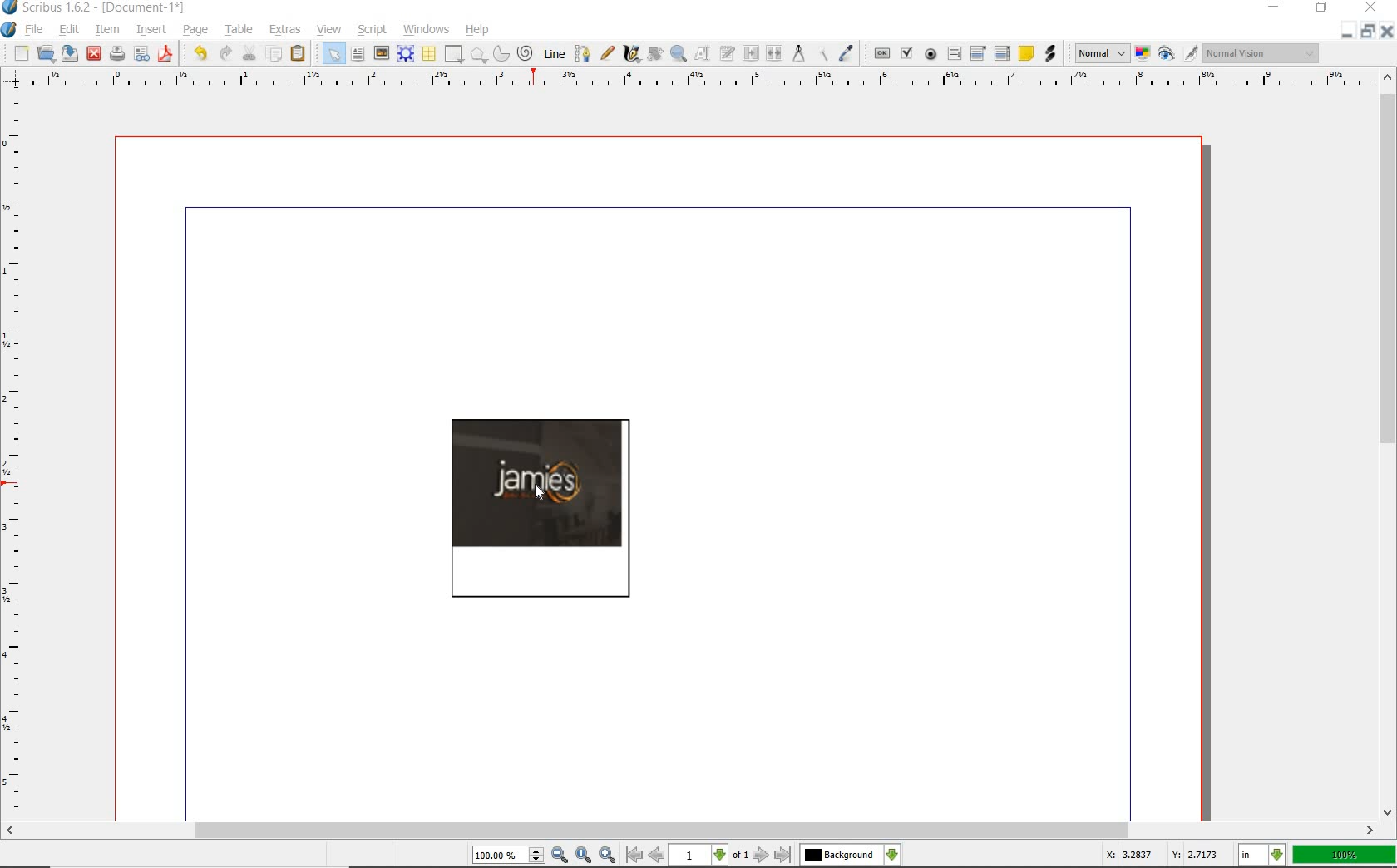  Describe the element at coordinates (151, 28) in the screenshot. I see `insert` at that location.